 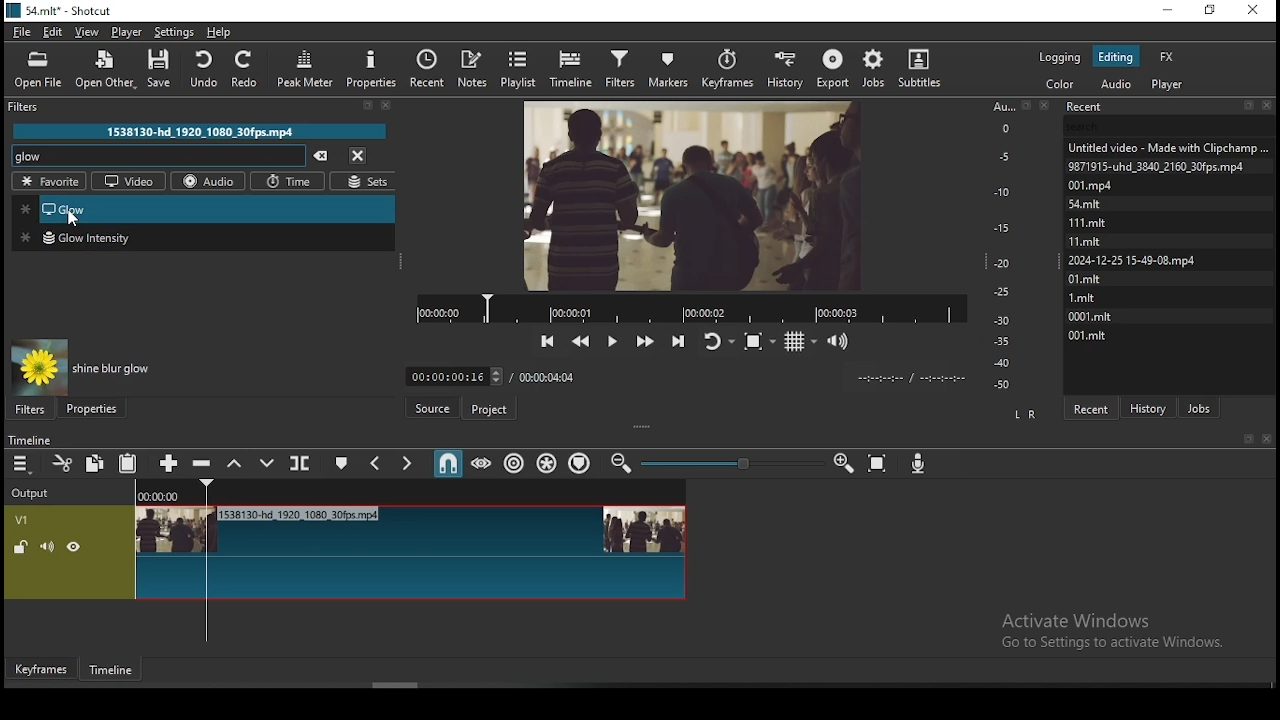 What do you see at coordinates (39, 670) in the screenshot?
I see `keyframe` at bounding box center [39, 670].